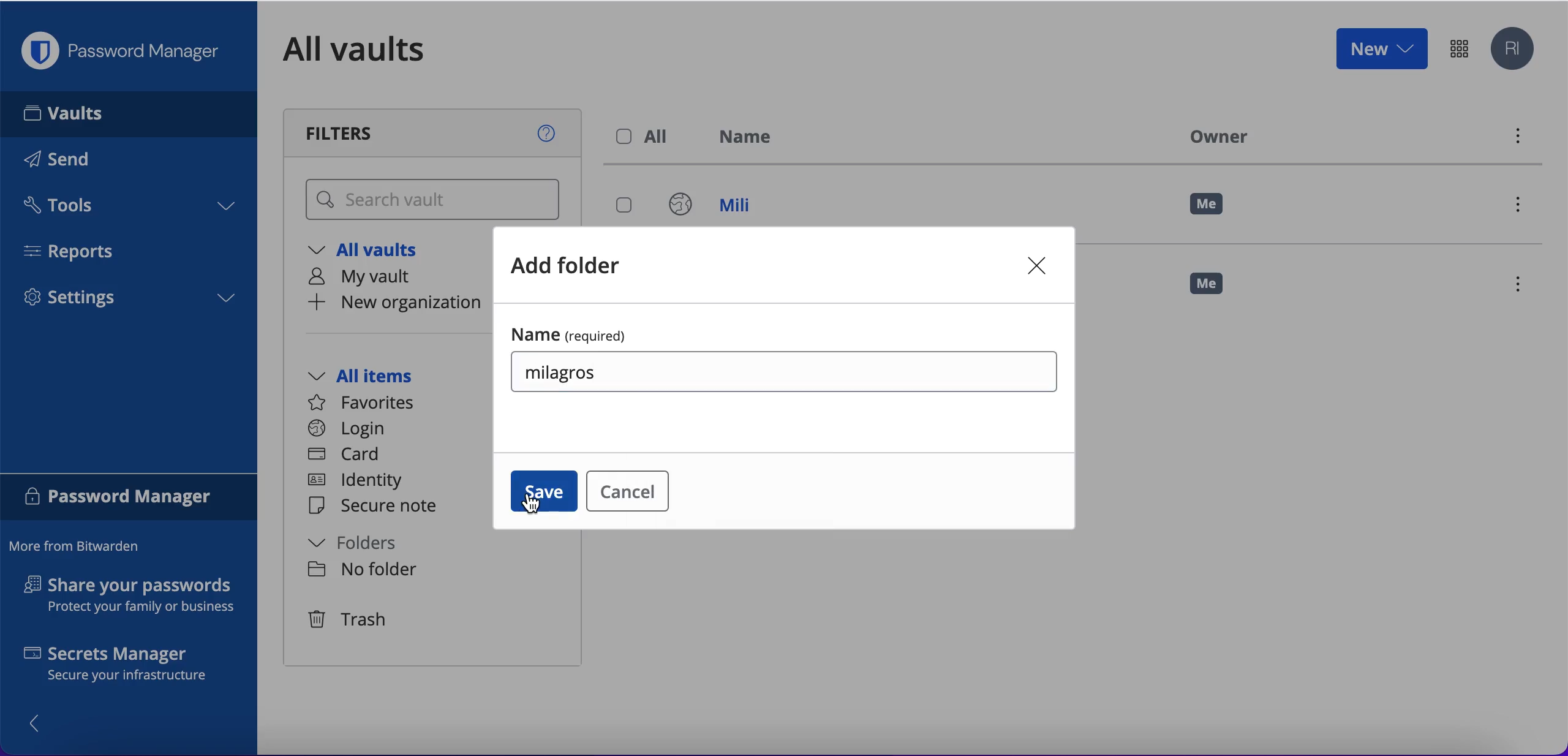 The image size is (1568, 756). Describe the element at coordinates (136, 597) in the screenshot. I see `share your passwords protect your family or business` at that location.